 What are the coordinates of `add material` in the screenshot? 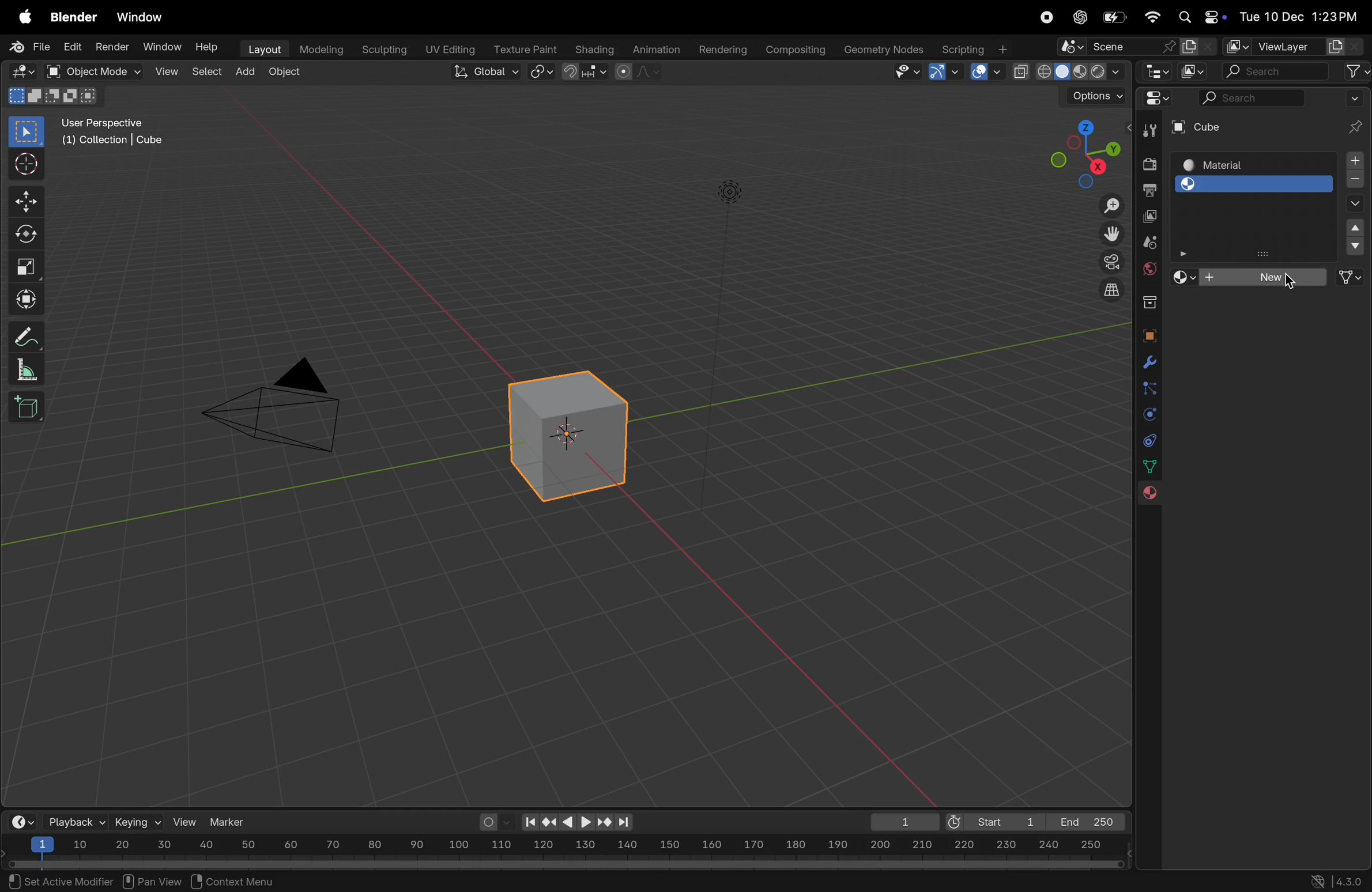 It's located at (1352, 161).